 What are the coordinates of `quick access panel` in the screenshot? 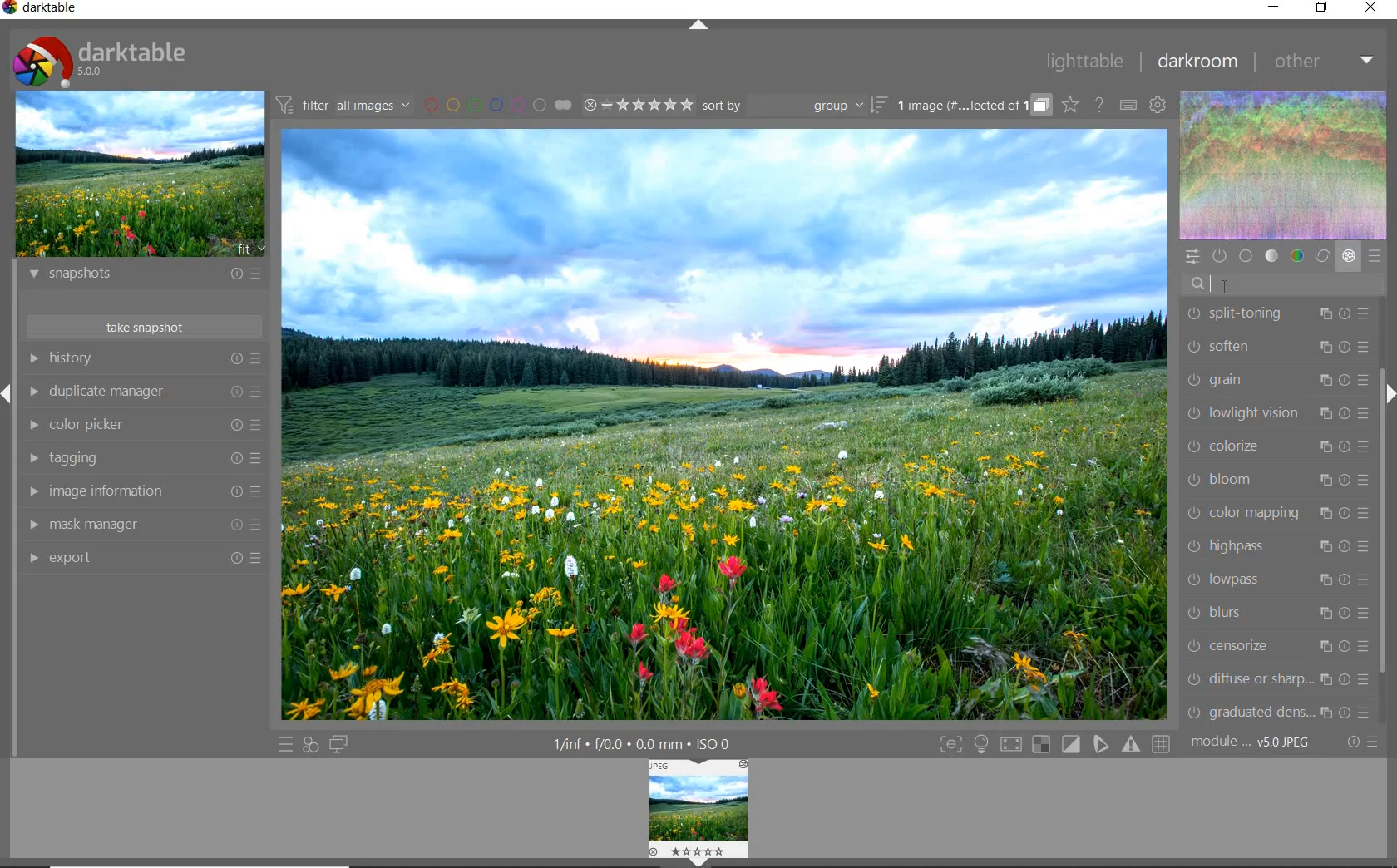 It's located at (1194, 257).